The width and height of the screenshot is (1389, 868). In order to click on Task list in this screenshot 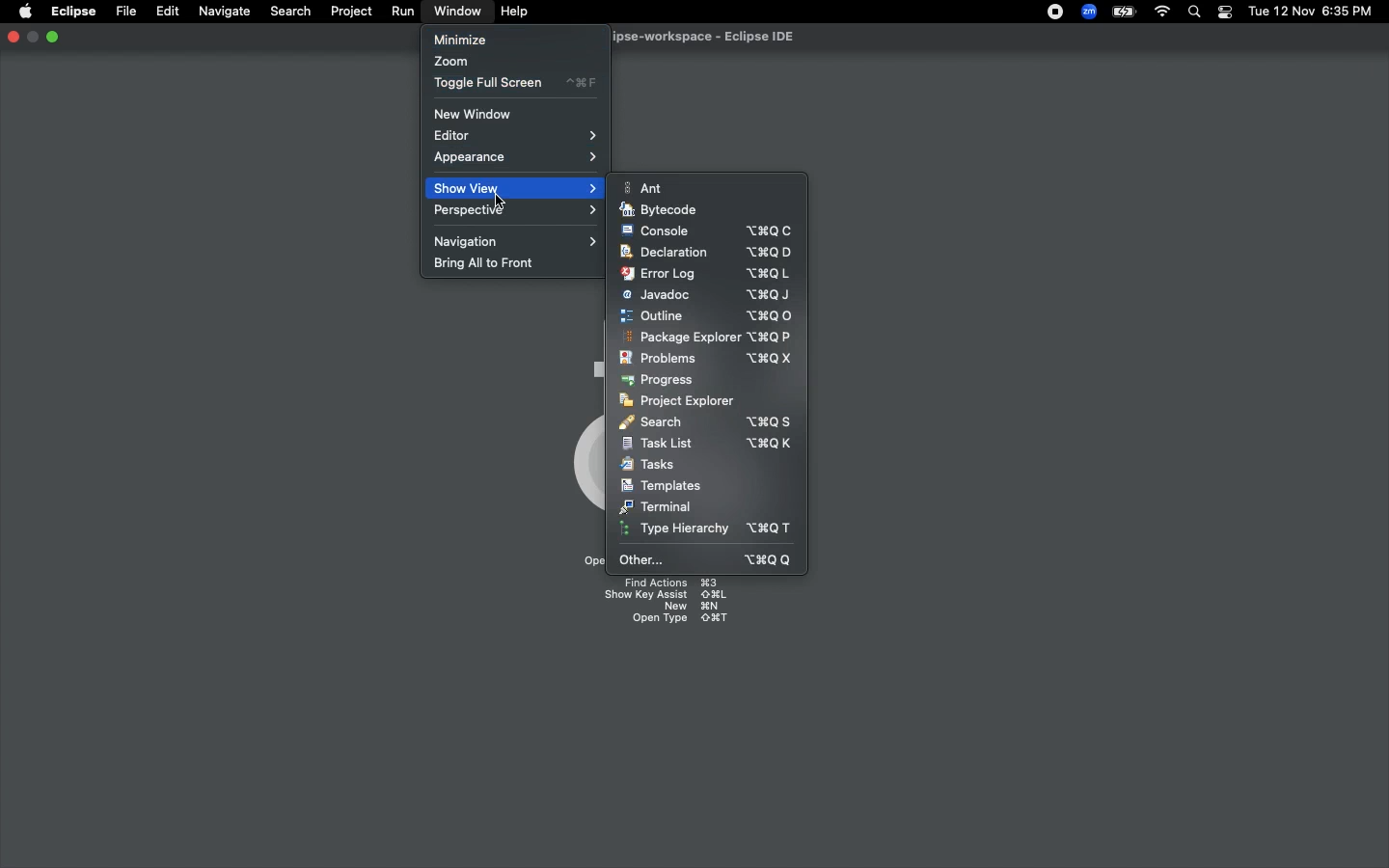, I will do `click(707, 444)`.